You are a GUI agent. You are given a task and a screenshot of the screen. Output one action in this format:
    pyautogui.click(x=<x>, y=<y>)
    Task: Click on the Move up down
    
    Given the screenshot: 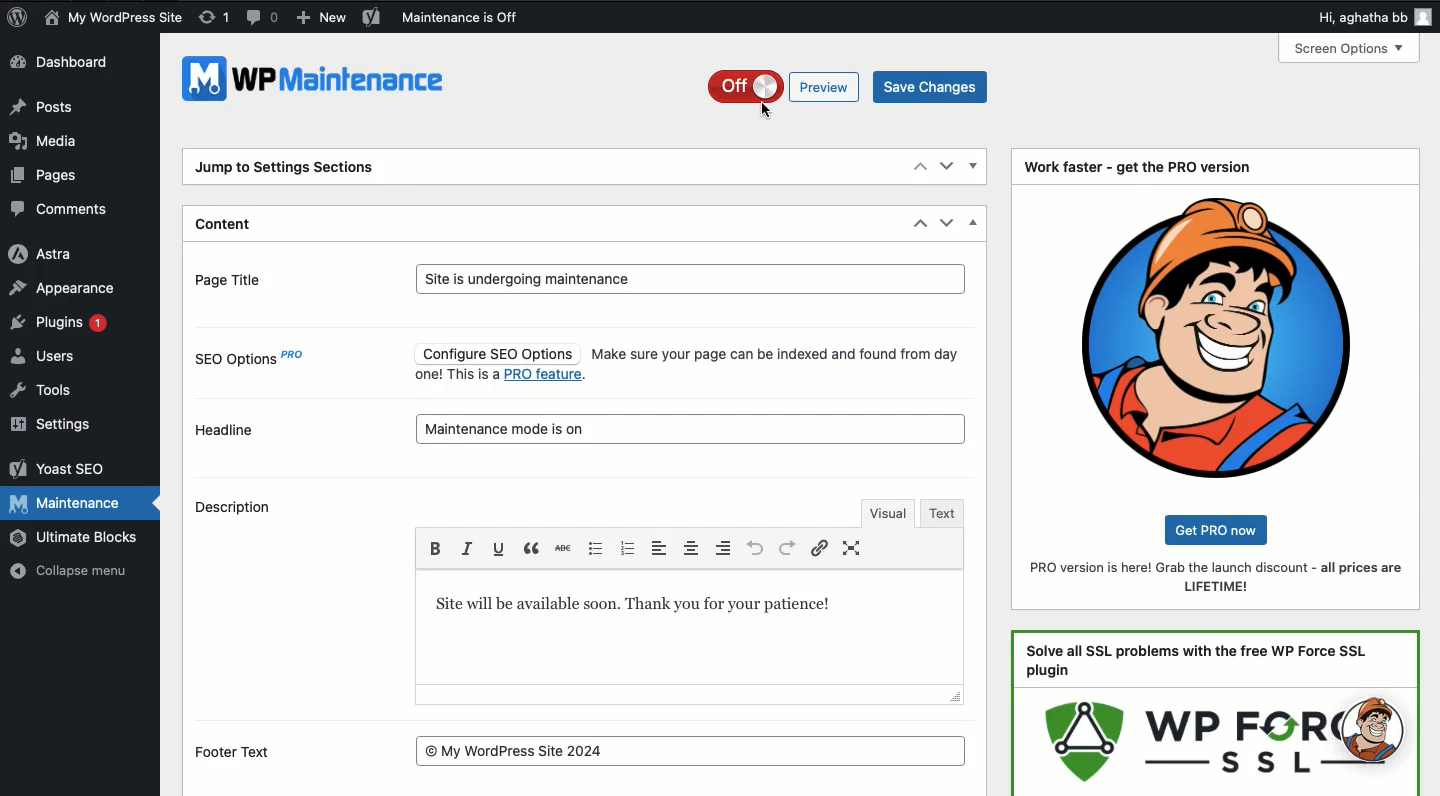 What is the action you would take?
    pyautogui.click(x=933, y=224)
    